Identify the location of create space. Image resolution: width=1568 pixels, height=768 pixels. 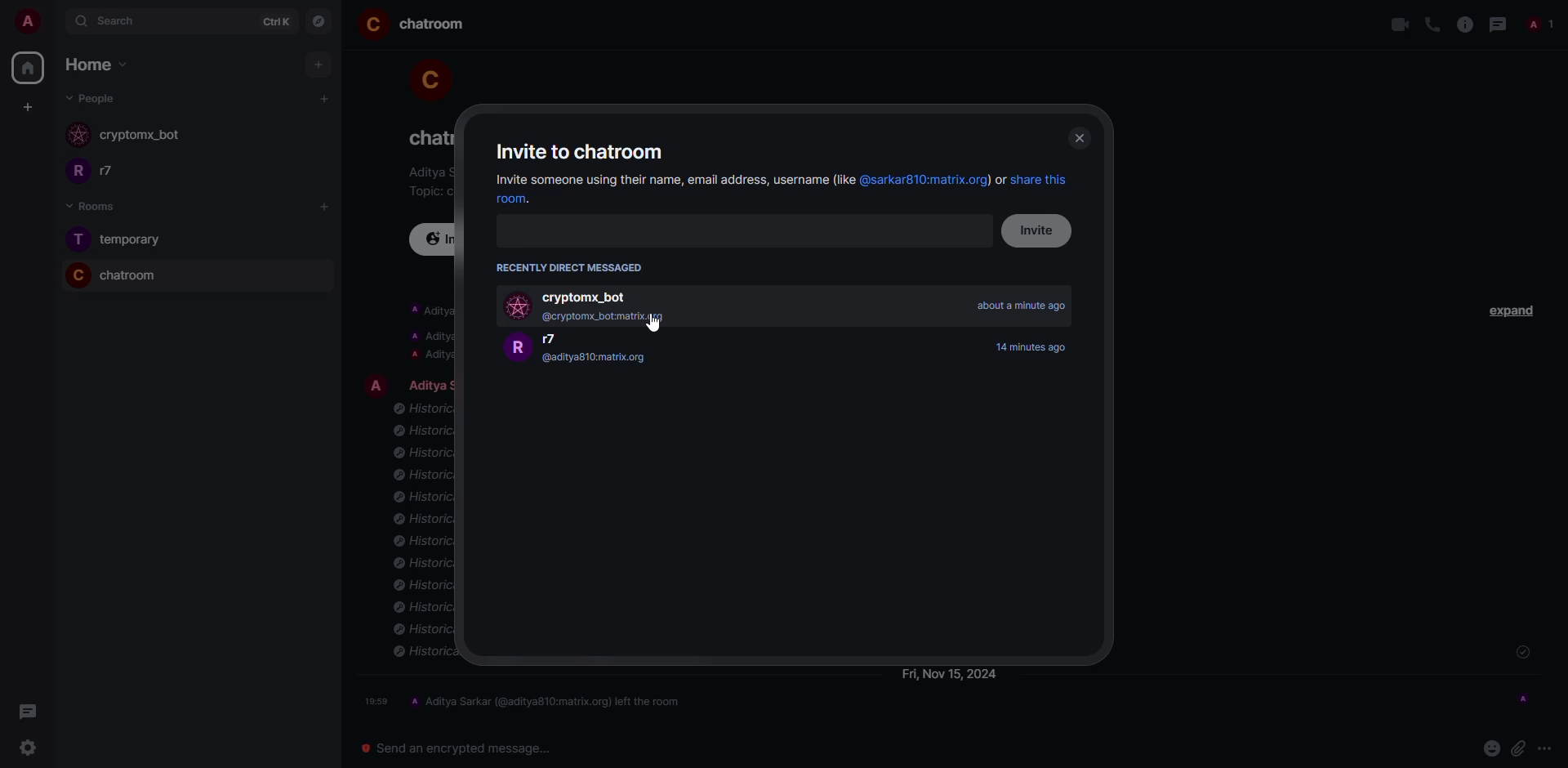
(24, 106).